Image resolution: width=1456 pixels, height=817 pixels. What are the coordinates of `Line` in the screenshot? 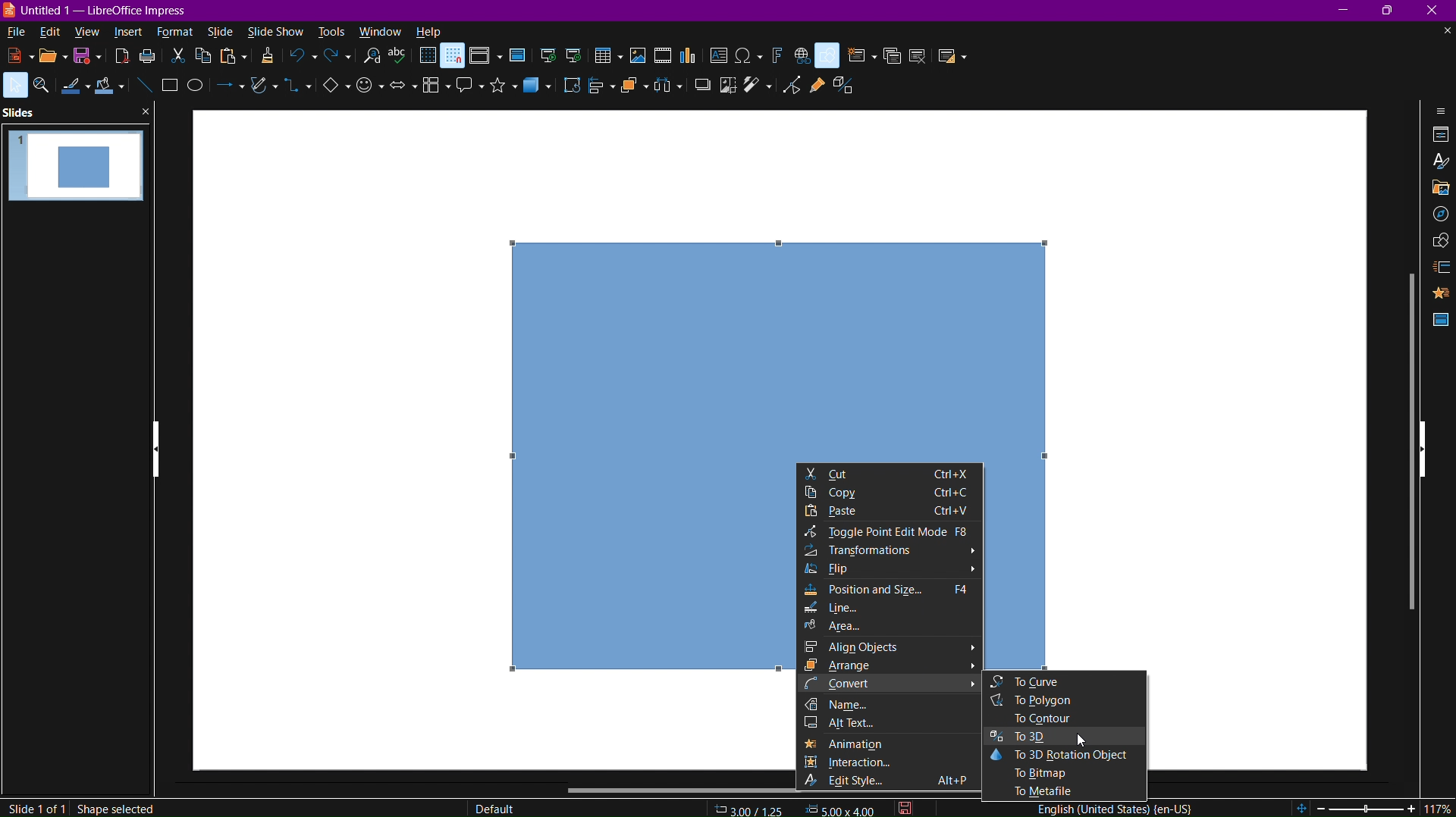 It's located at (855, 611).